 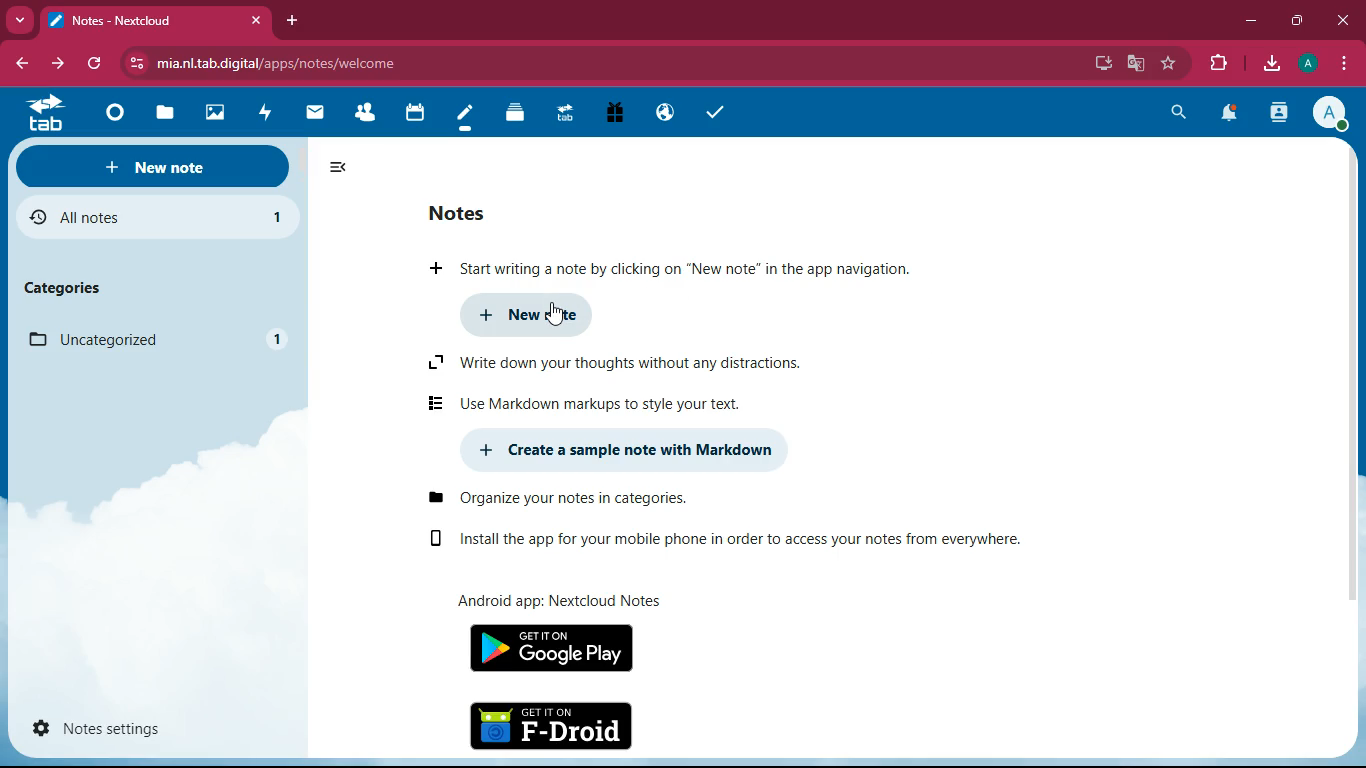 I want to click on url, so click(x=291, y=65).